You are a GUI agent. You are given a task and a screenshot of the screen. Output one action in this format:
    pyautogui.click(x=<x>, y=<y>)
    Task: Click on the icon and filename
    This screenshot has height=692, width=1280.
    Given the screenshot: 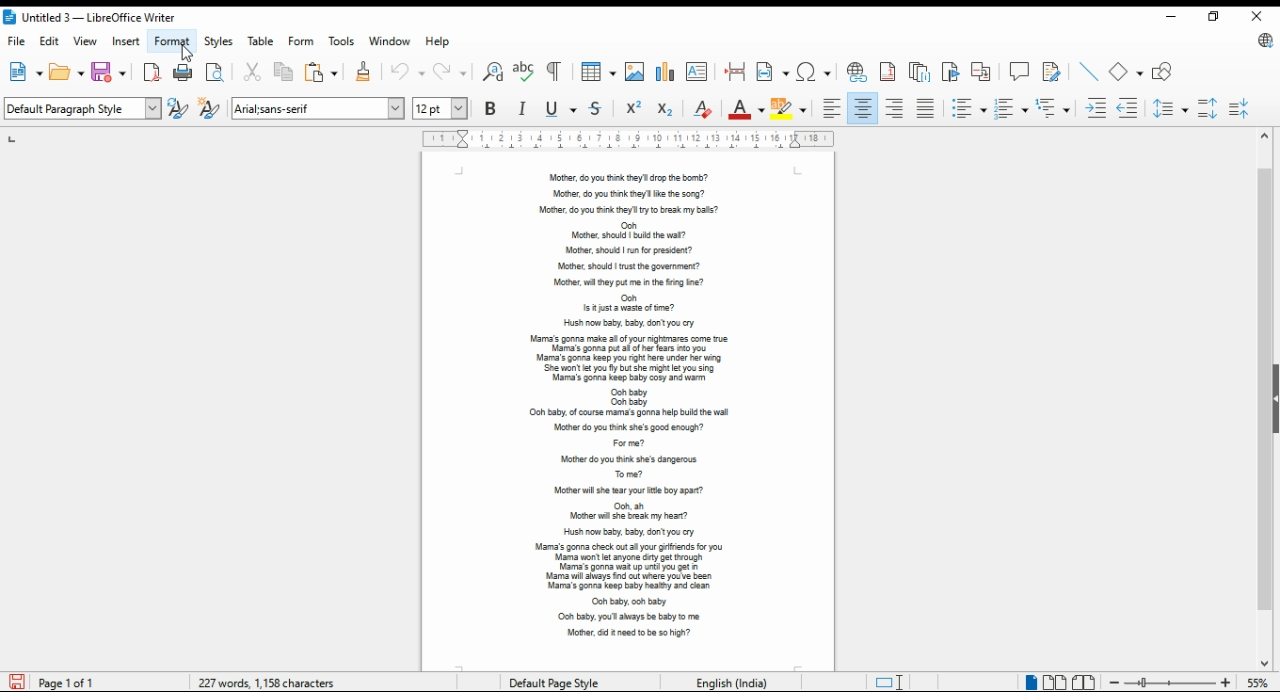 What is the action you would take?
    pyautogui.click(x=108, y=17)
    